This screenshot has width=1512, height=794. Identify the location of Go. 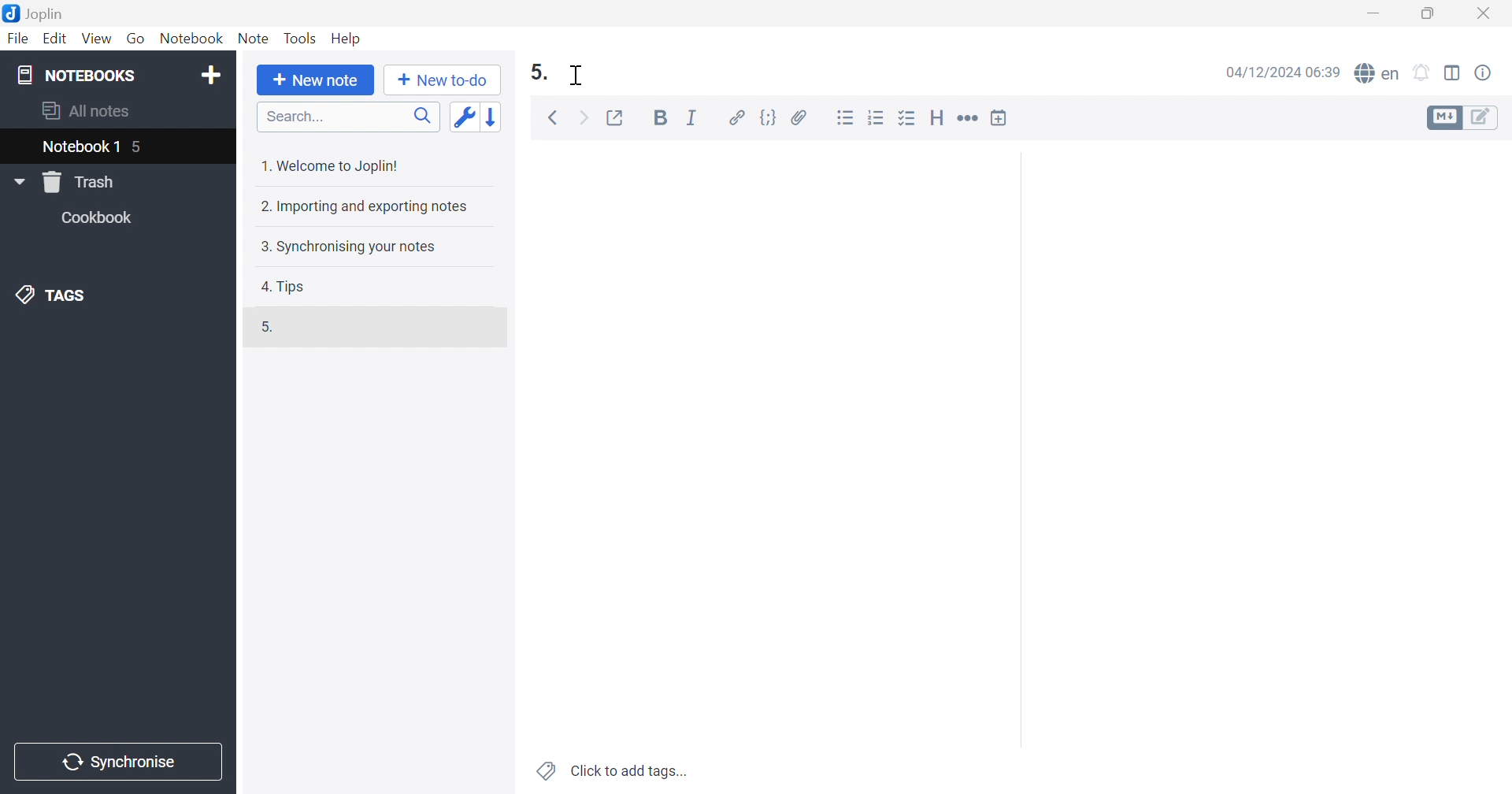
(136, 38).